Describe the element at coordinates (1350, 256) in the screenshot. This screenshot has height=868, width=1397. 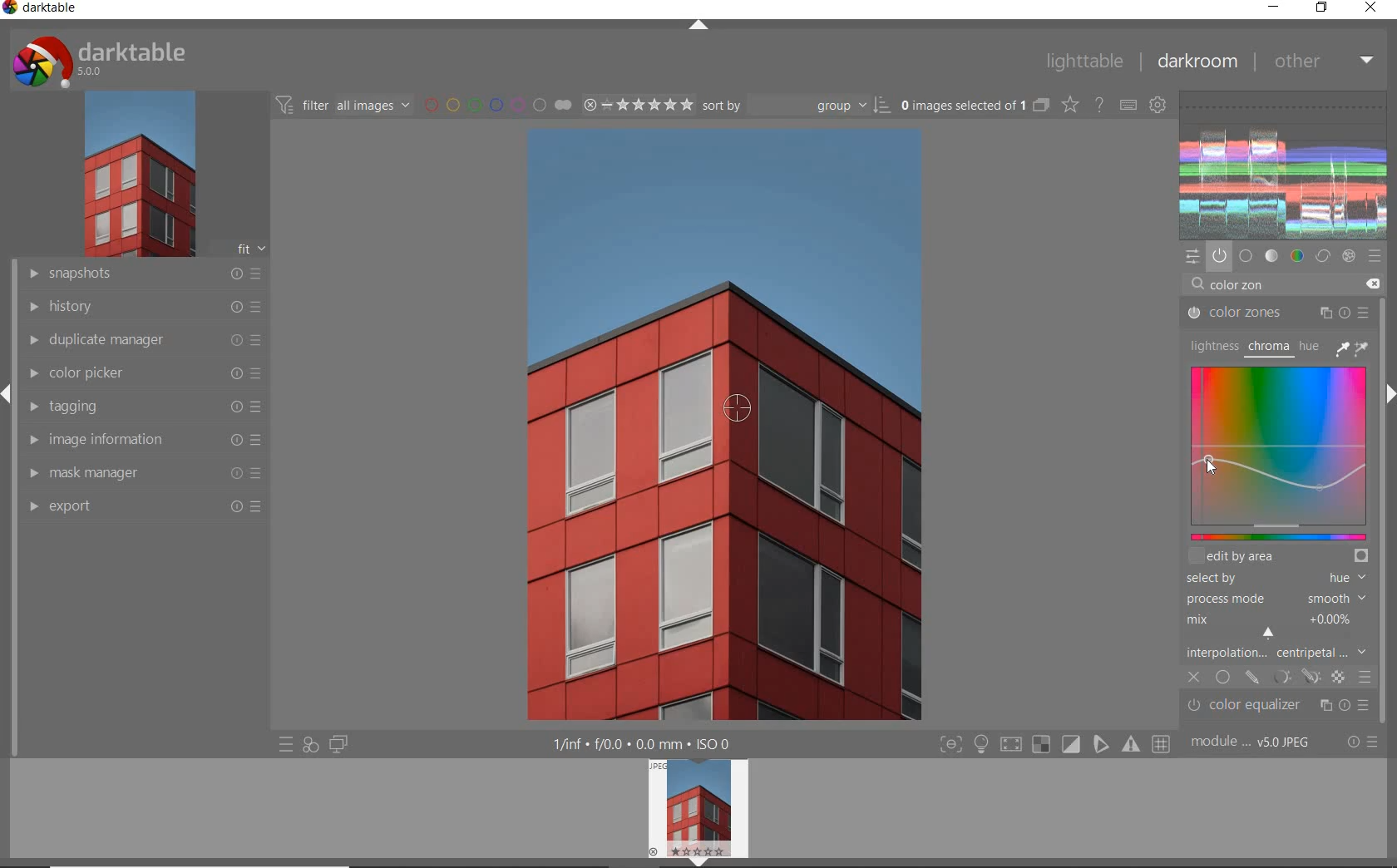
I see `effect` at that location.